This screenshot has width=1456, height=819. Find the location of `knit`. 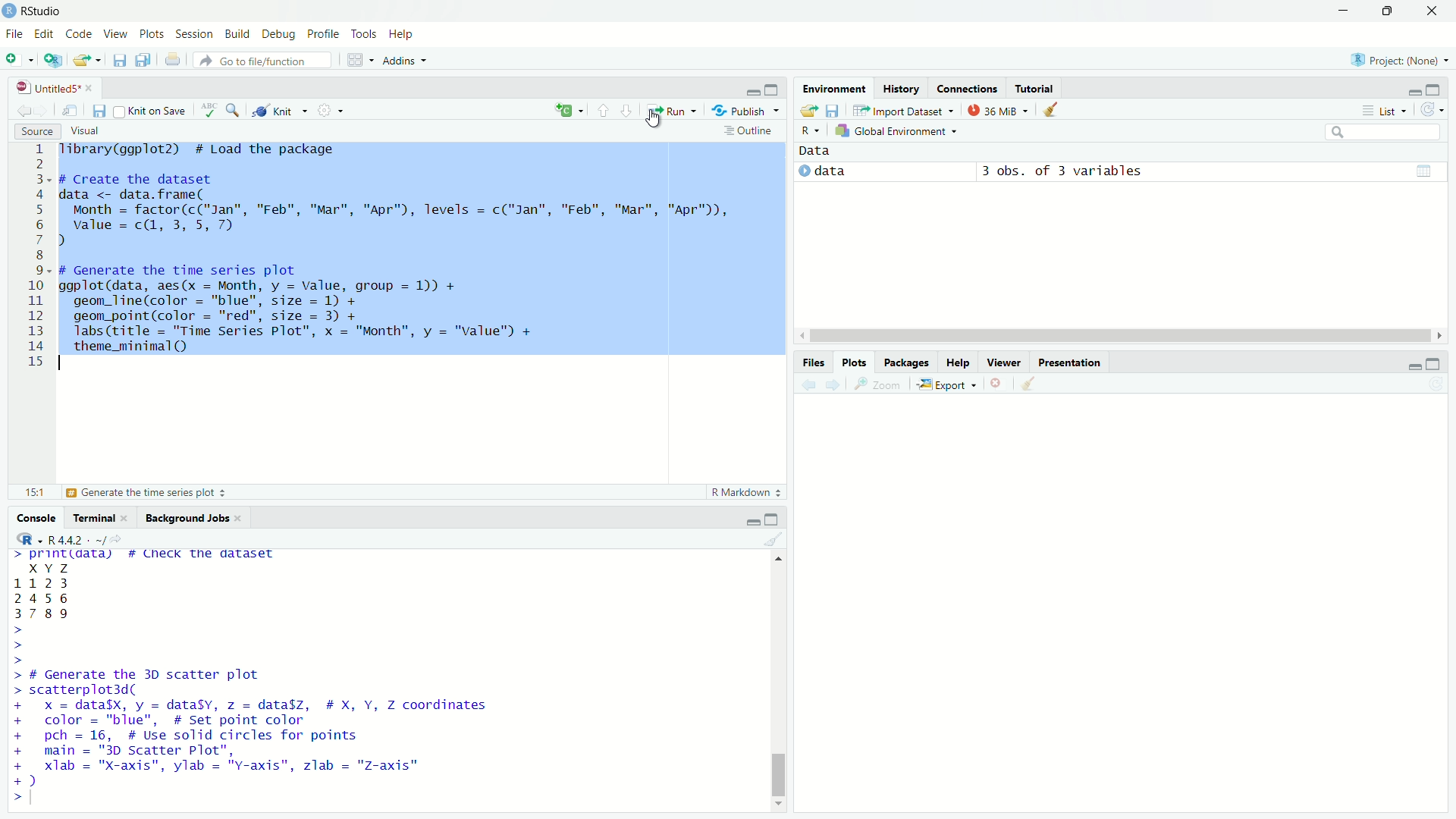

knit is located at coordinates (281, 112).